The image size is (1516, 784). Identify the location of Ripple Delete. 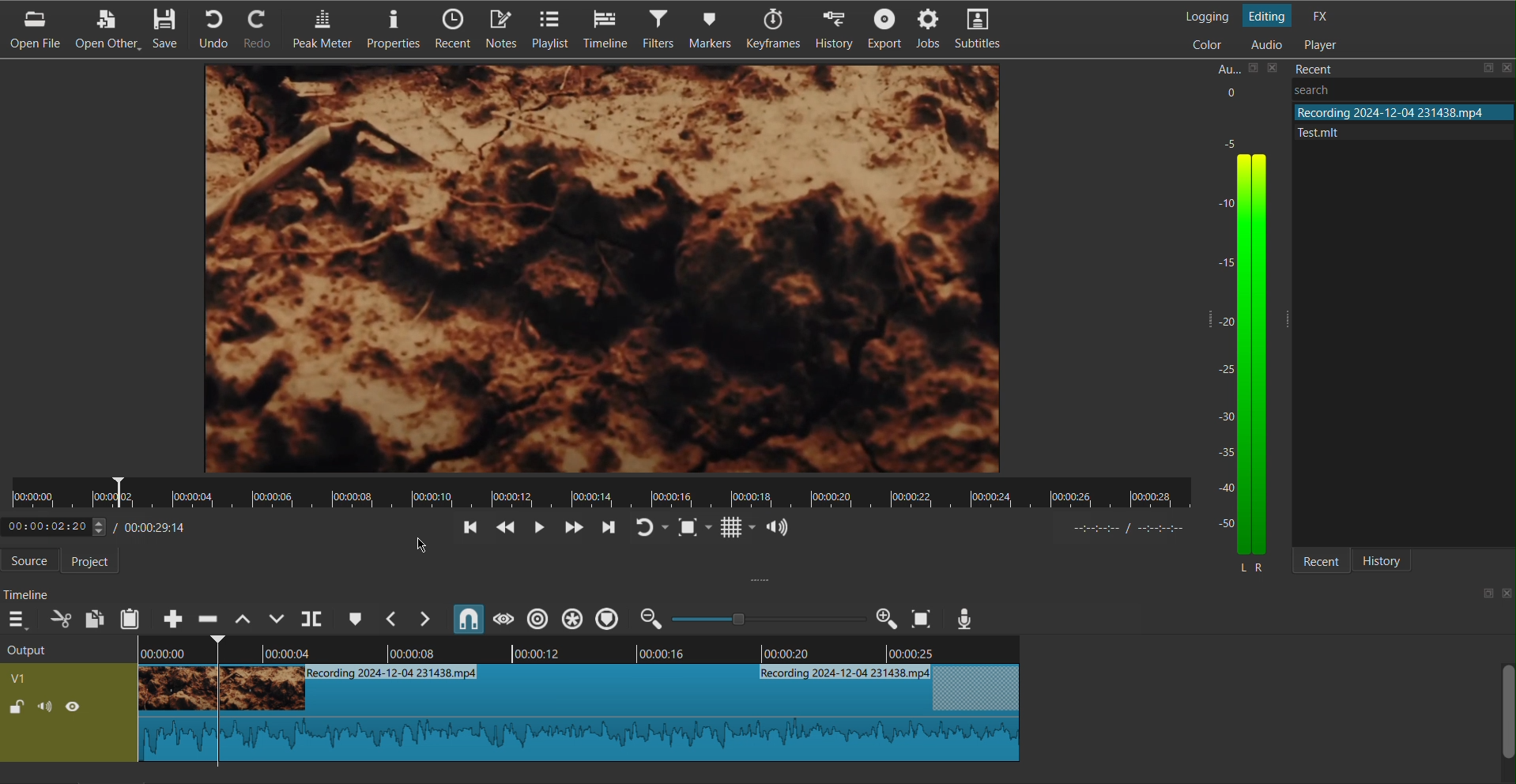
(208, 615).